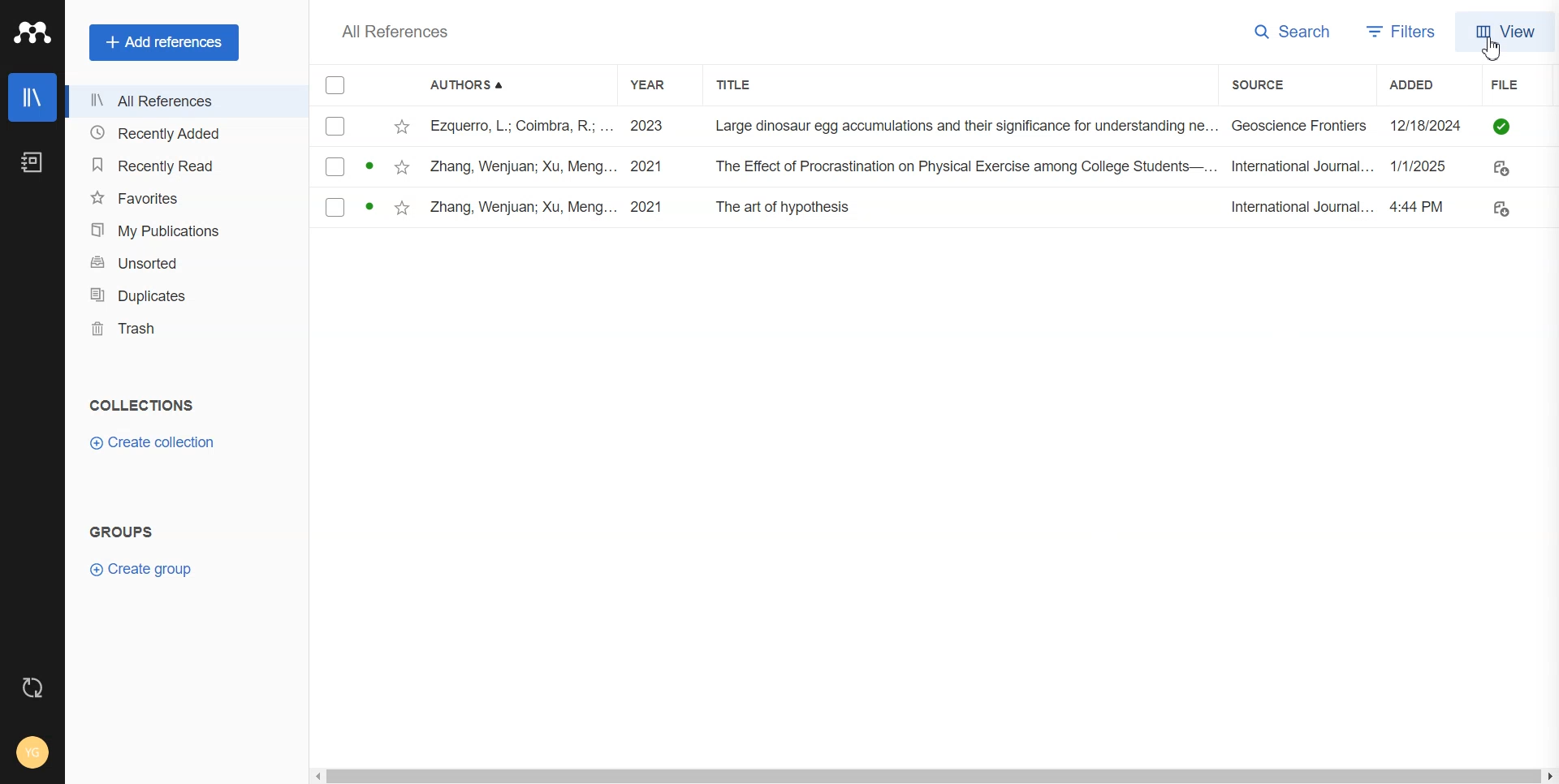 The image size is (1559, 784). Describe the element at coordinates (1267, 85) in the screenshot. I see `Source` at that location.